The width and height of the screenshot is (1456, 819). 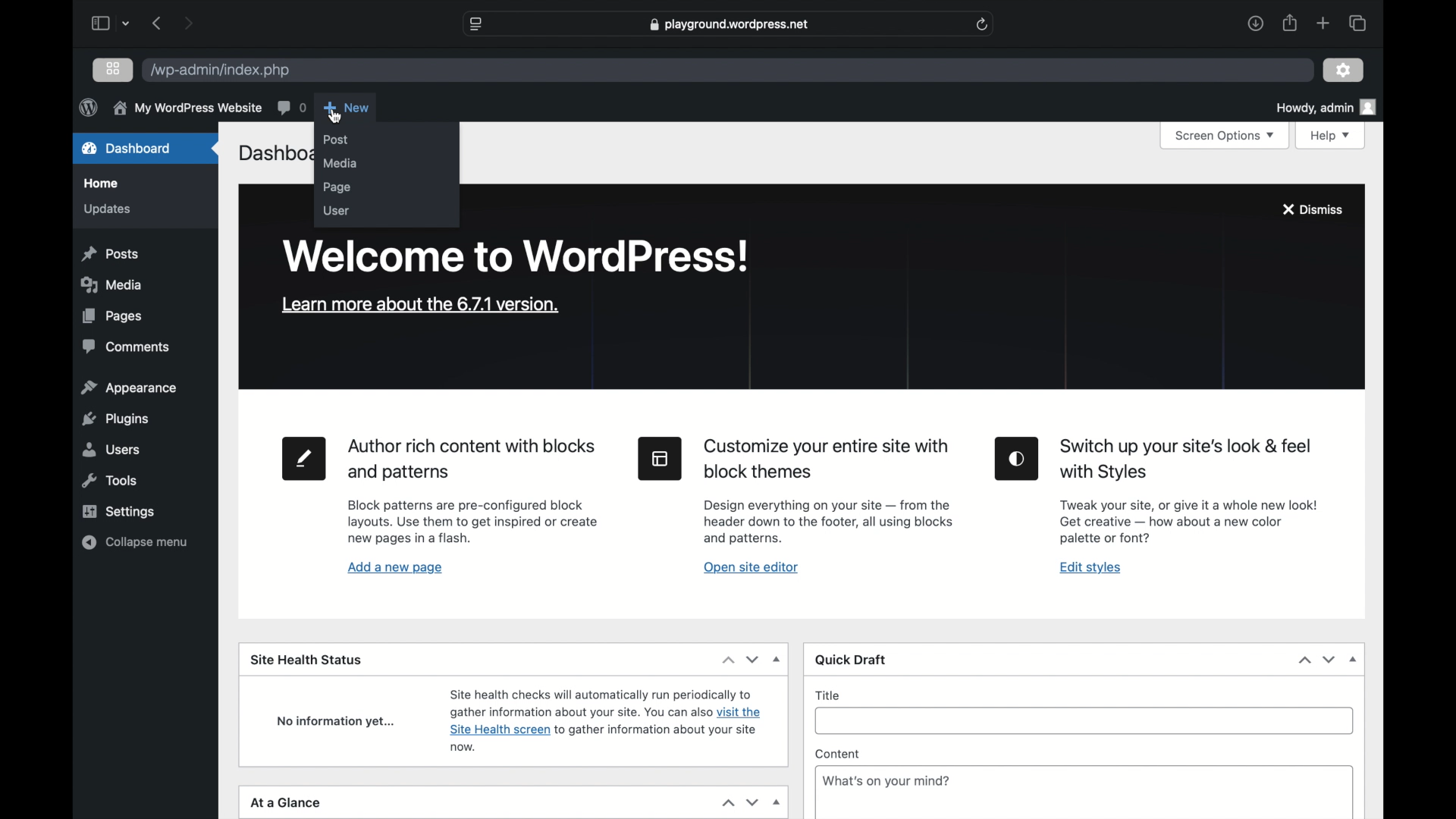 What do you see at coordinates (1329, 107) in the screenshot?
I see `howdy admin` at bounding box center [1329, 107].